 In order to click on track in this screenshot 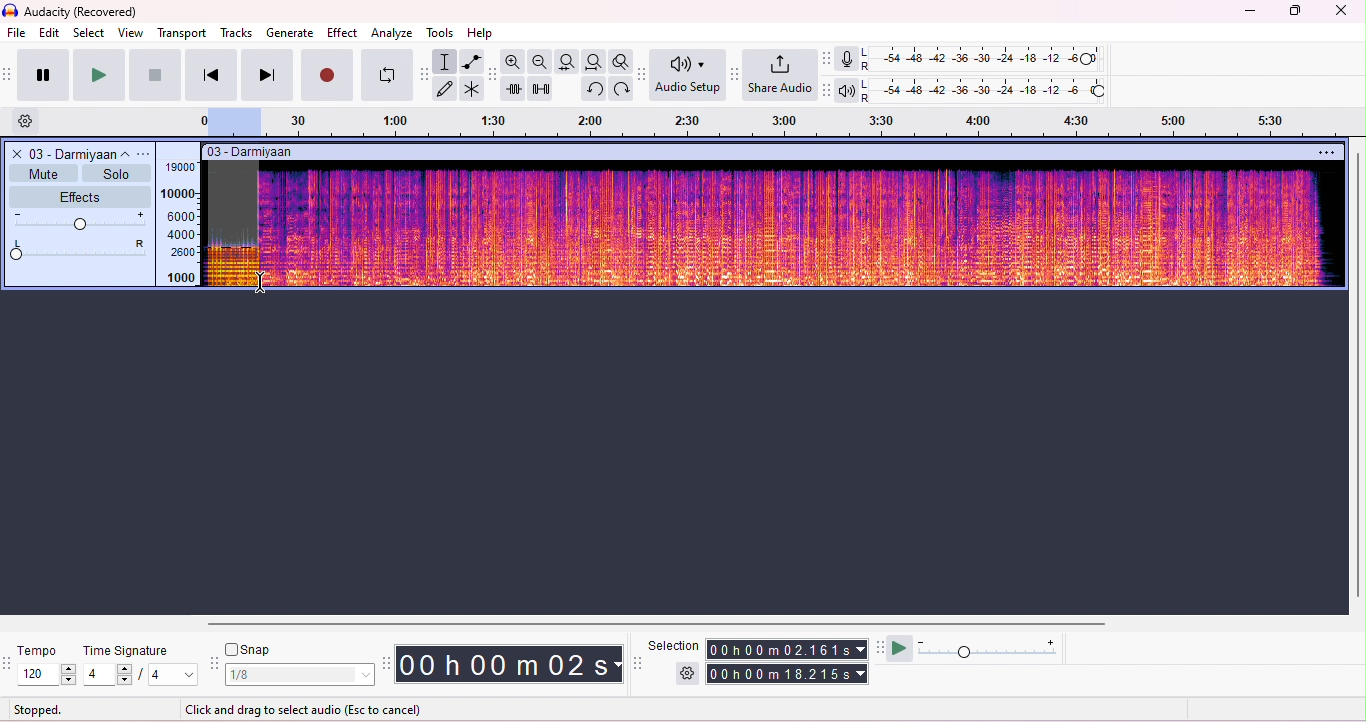, I will do `click(78, 153)`.